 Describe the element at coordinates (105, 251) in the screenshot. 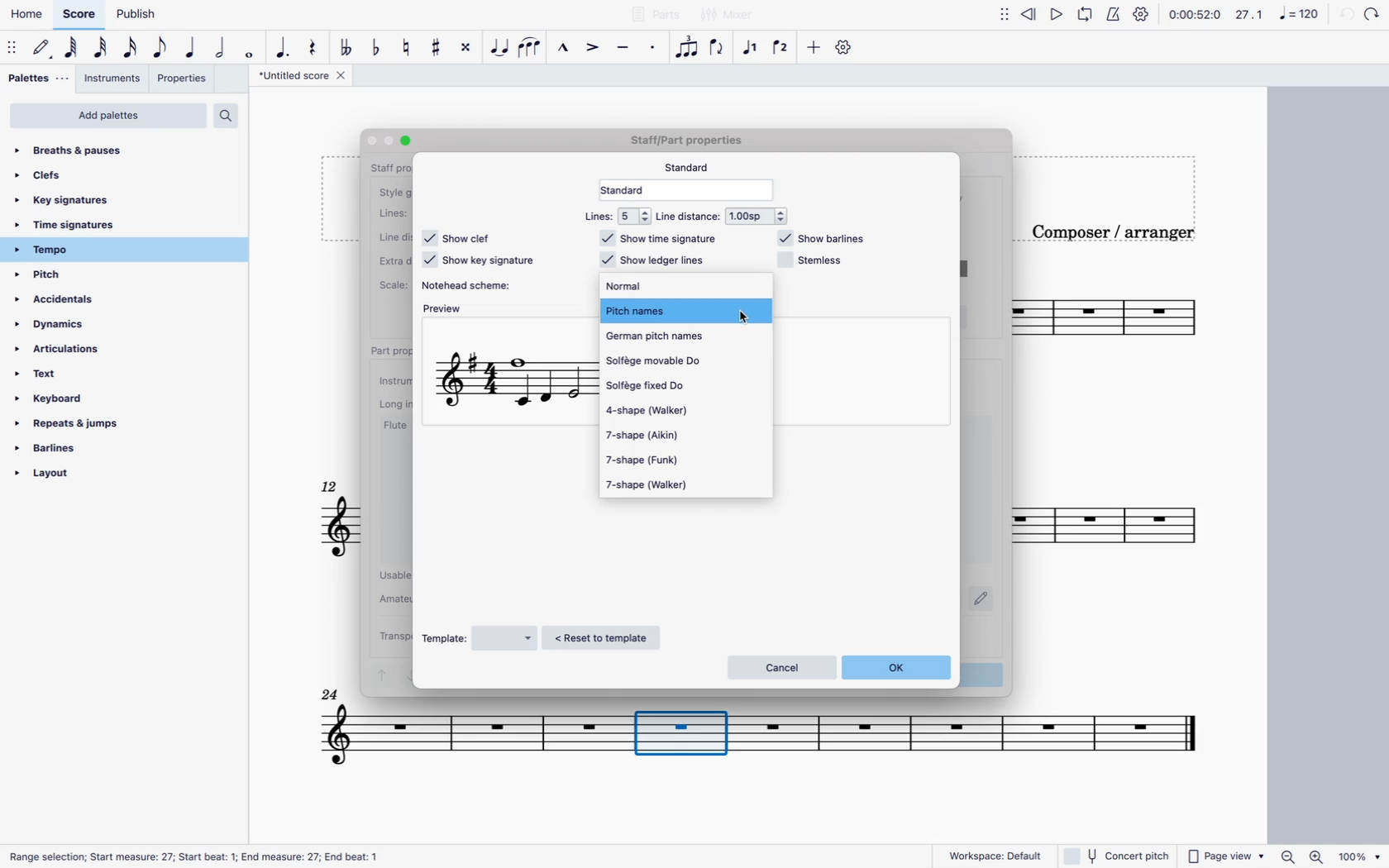

I see `tempo` at that location.